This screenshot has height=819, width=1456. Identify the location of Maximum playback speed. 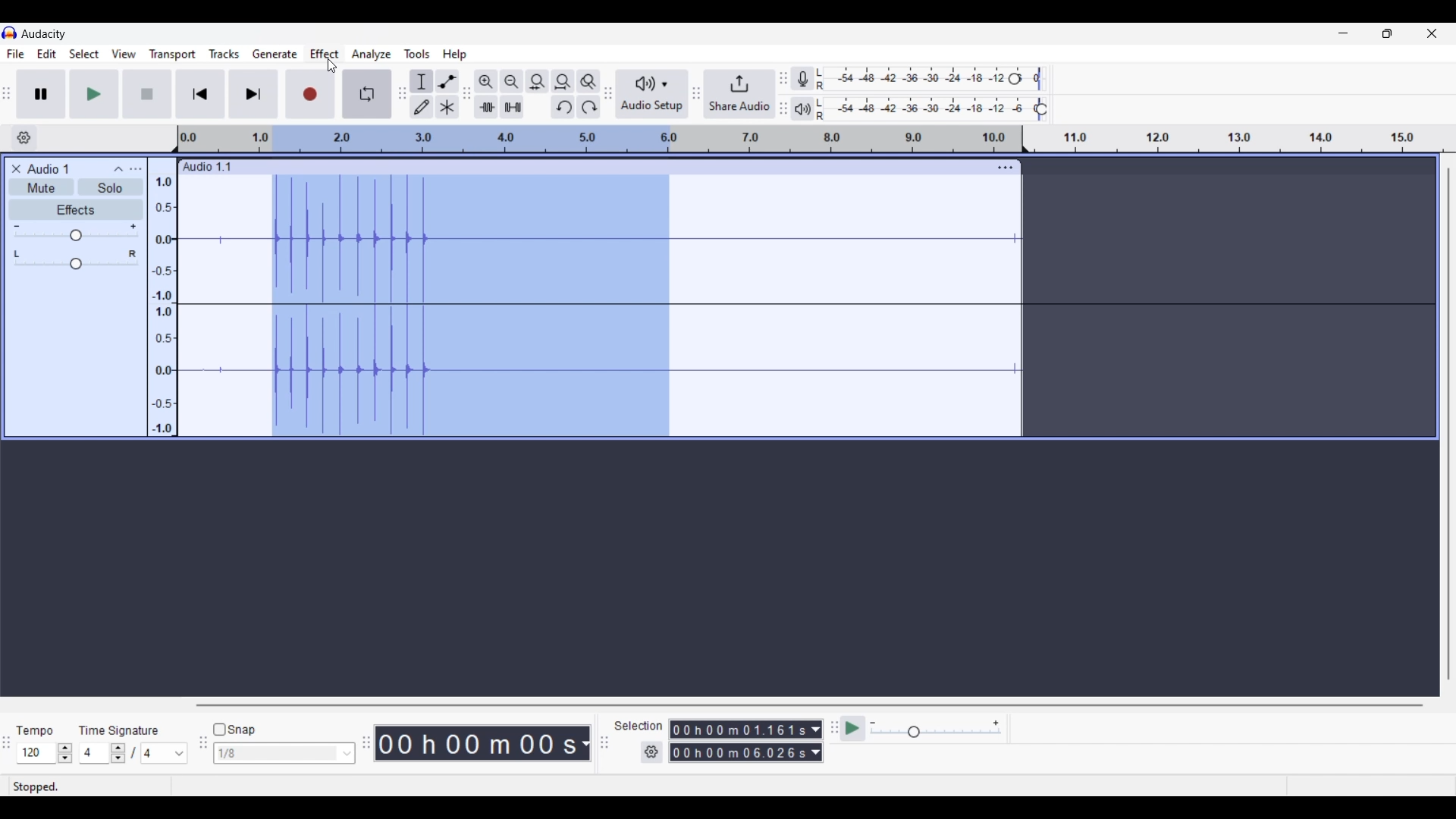
(996, 723).